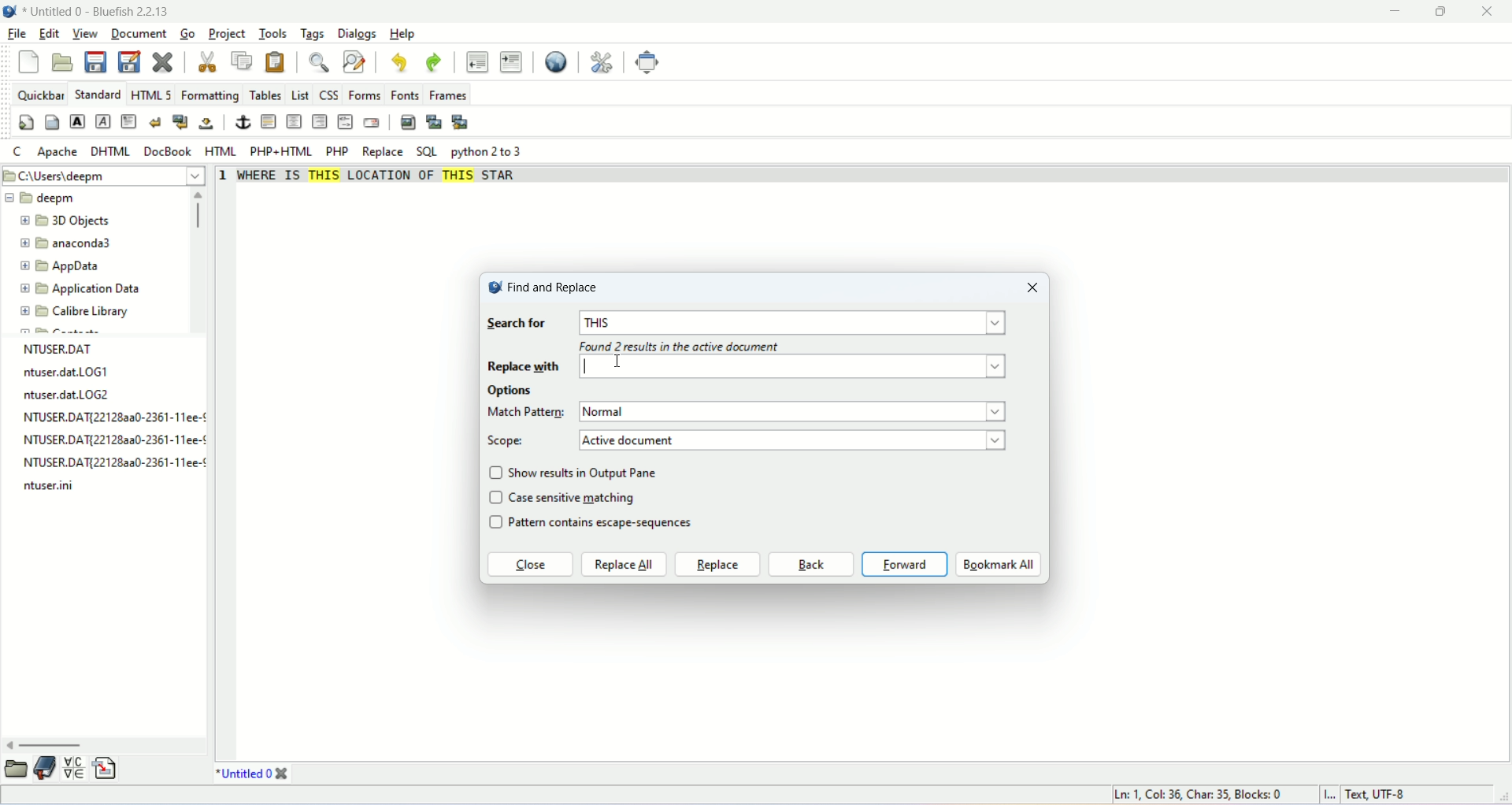  I want to click on Calibre Library, so click(75, 310).